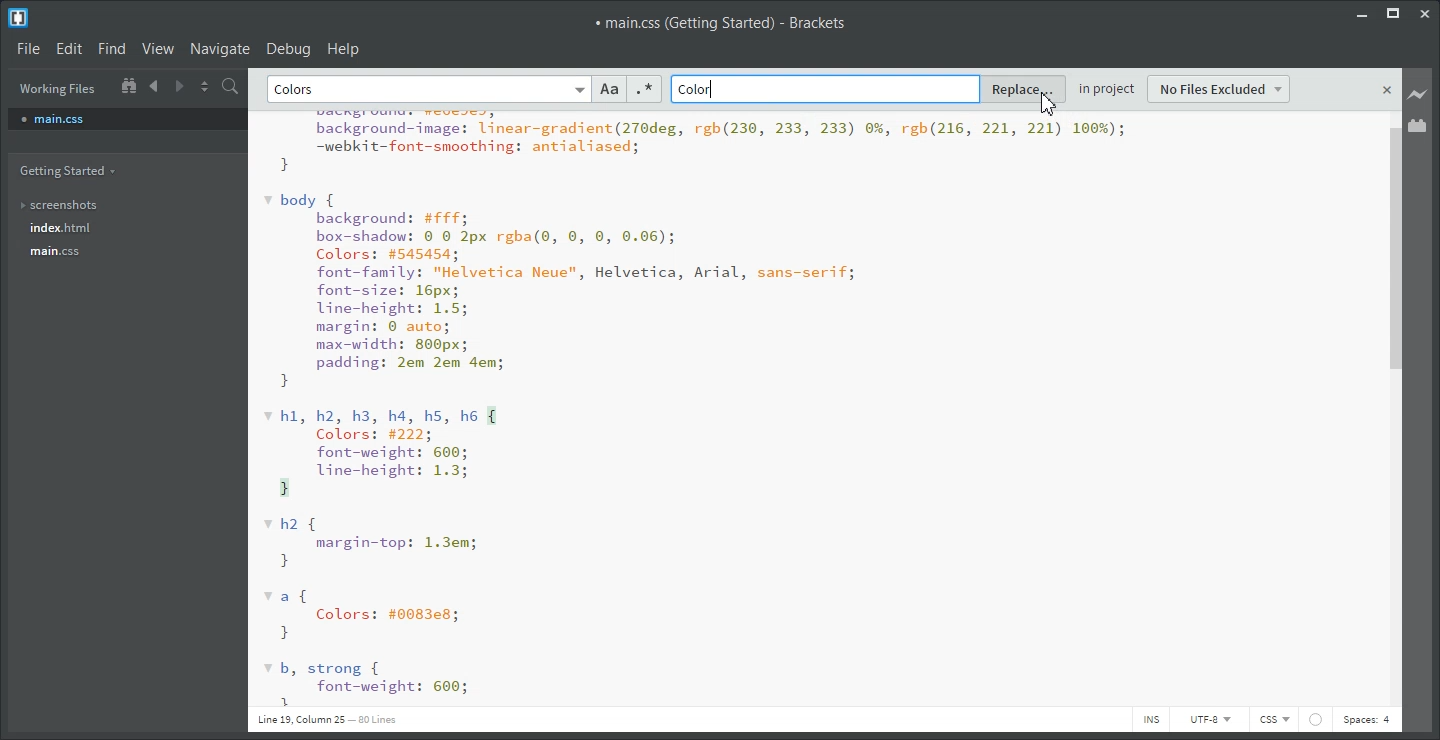  What do you see at coordinates (366, 683) in the screenshot?
I see `b, strong {font-weight: 600;5}` at bounding box center [366, 683].